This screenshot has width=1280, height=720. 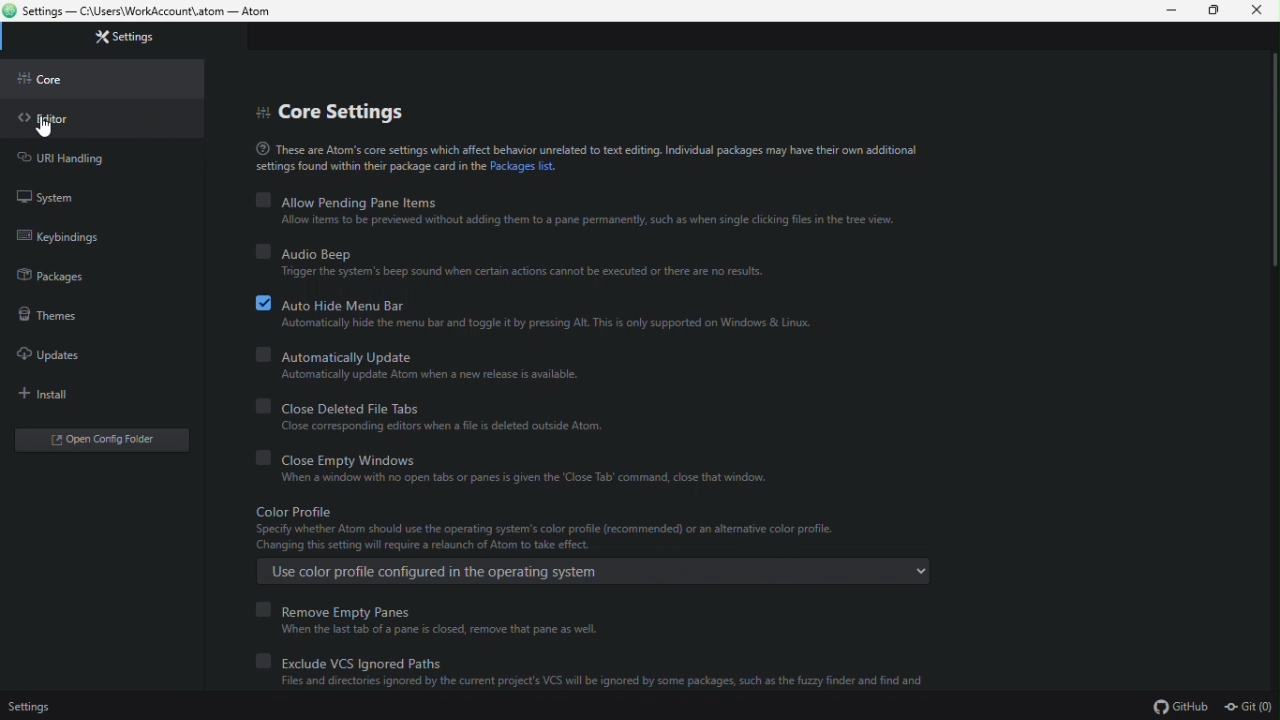 I want to click on package, so click(x=95, y=276).